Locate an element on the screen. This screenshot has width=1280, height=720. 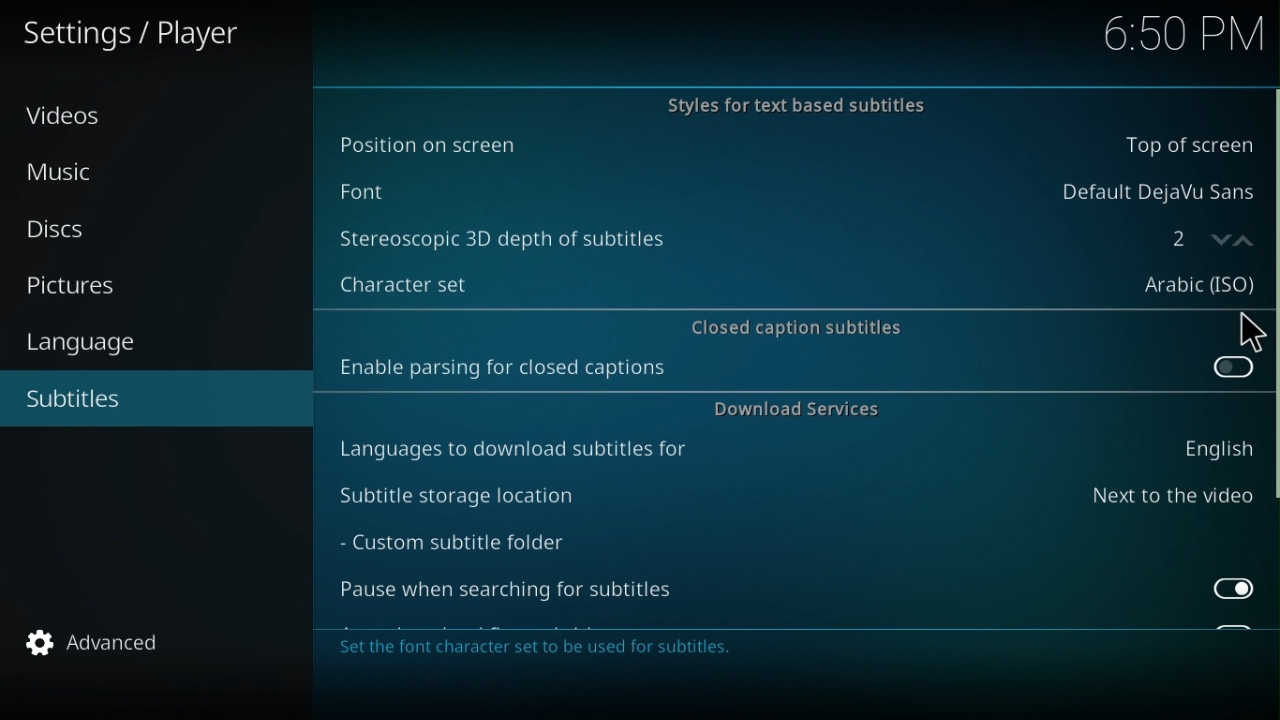
Advanced is located at coordinates (102, 644).